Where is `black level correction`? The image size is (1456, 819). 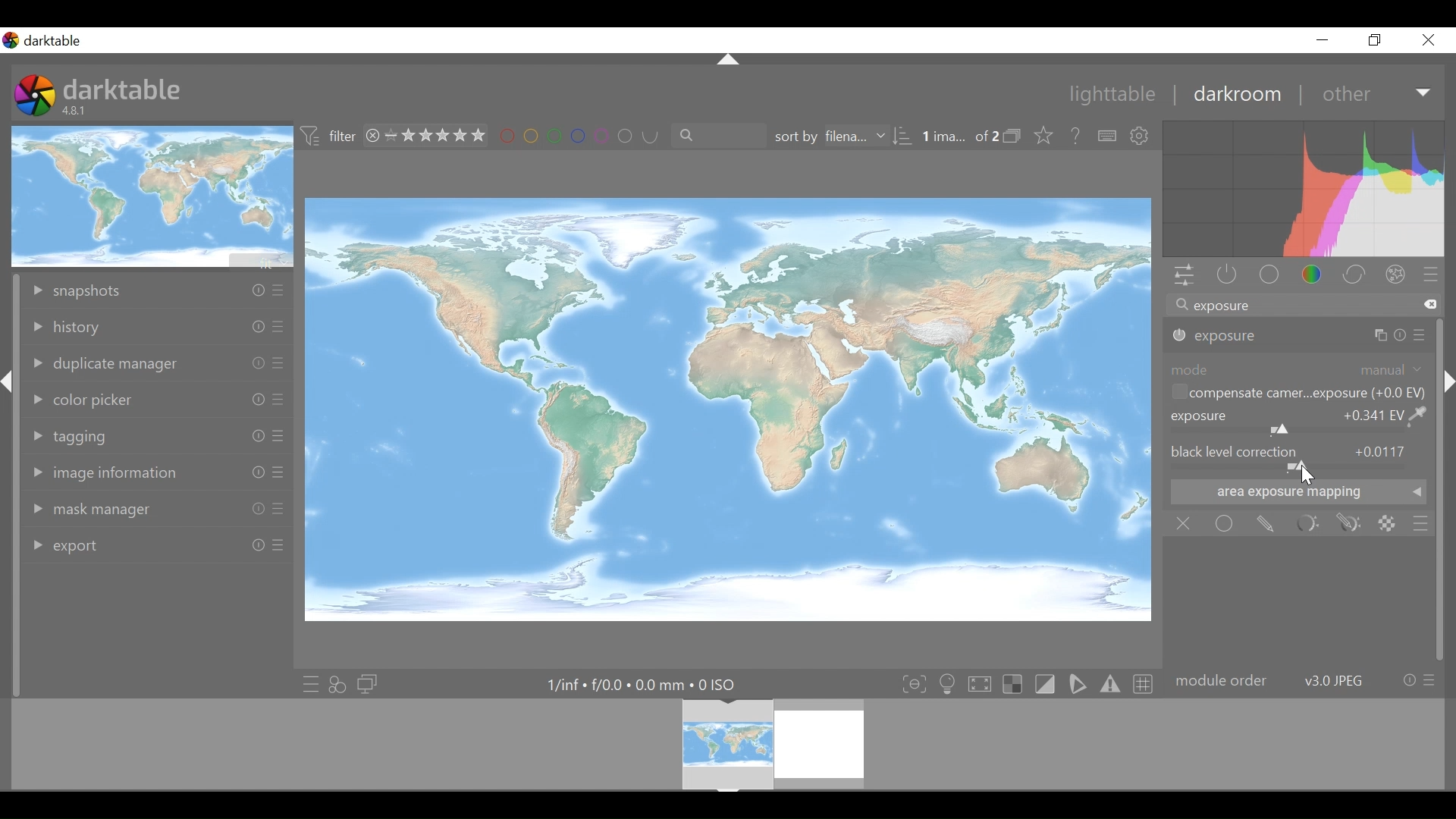 black level correction is located at coordinates (1298, 452).